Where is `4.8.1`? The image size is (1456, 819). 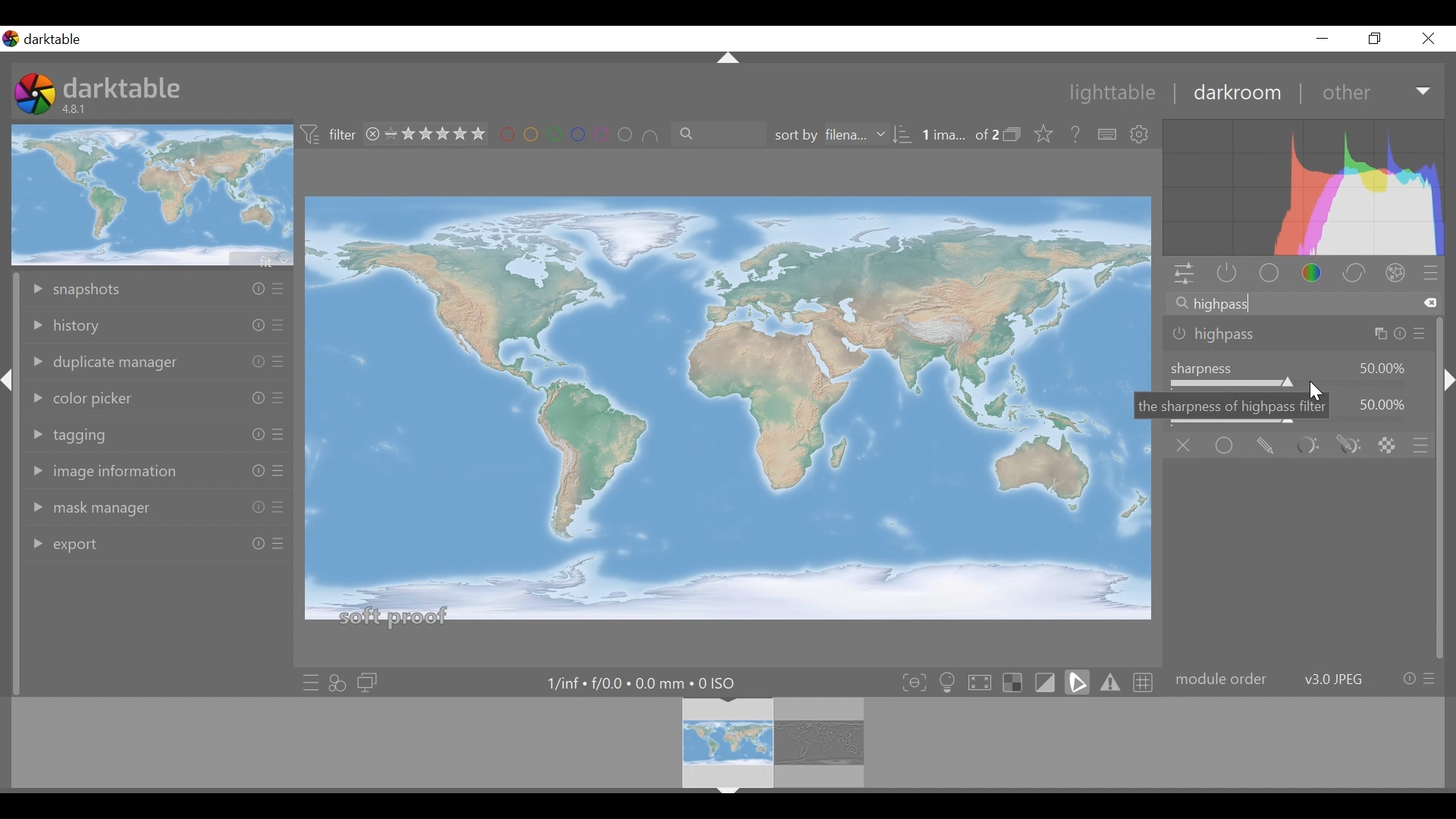 4.8.1 is located at coordinates (77, 108).